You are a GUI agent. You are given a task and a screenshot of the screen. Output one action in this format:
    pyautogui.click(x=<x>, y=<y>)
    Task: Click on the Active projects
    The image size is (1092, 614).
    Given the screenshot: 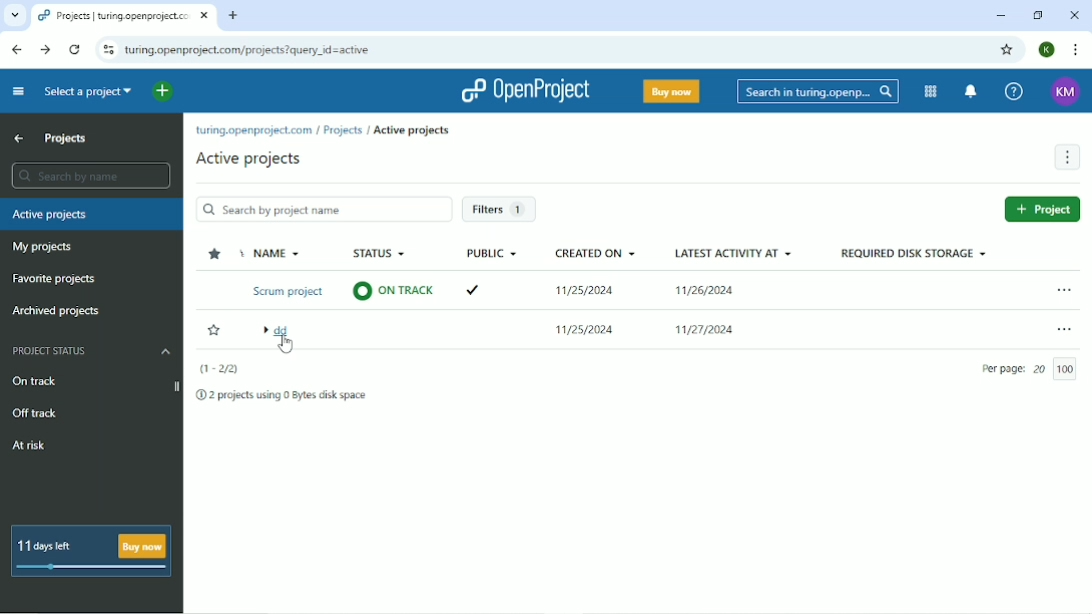 What is the action you would take?
    pyautogui.click(x=251, y=160)
    